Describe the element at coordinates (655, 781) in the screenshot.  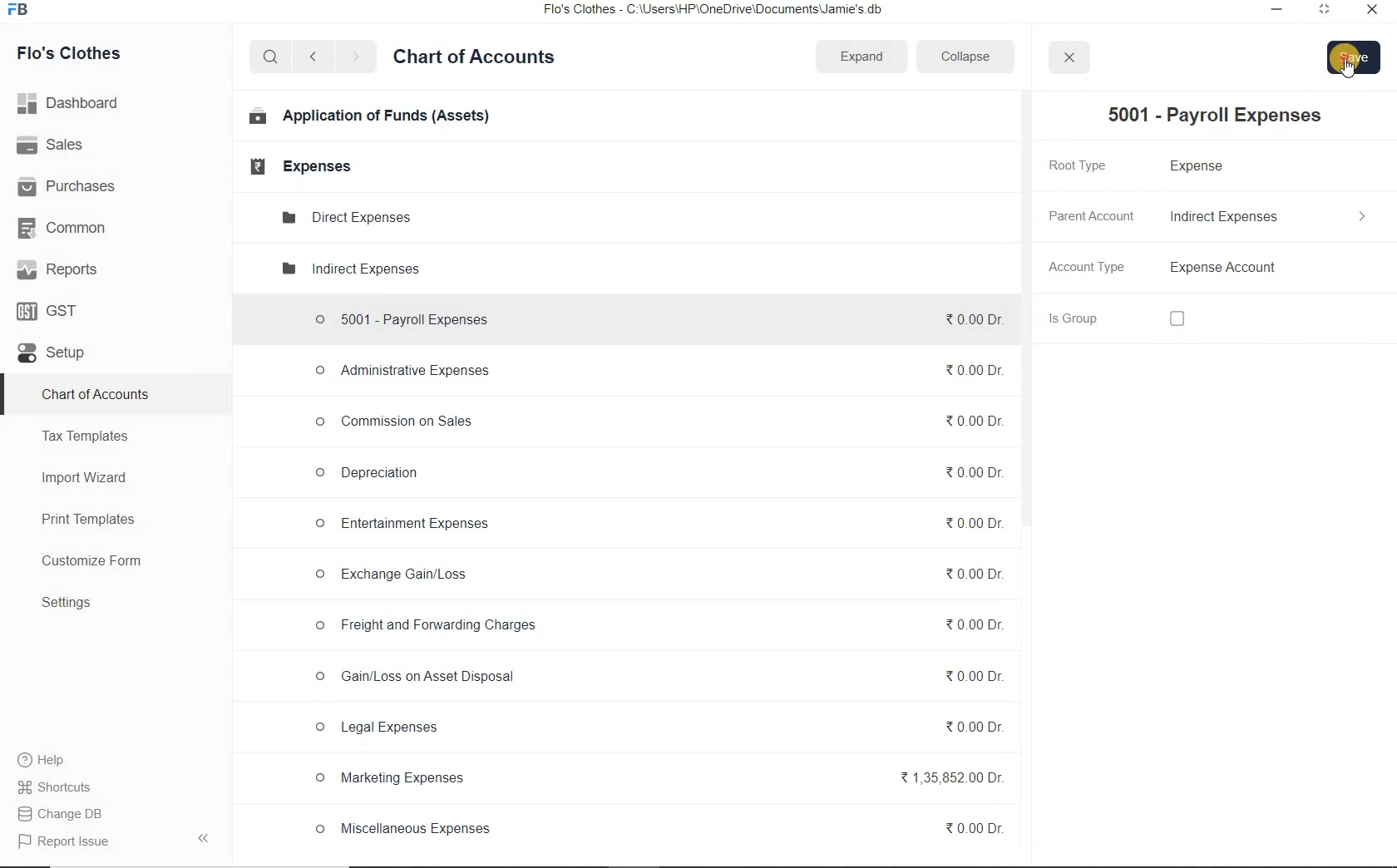
I see `© Marketing Expenses %1,35,852.00 Dr.` at that location.